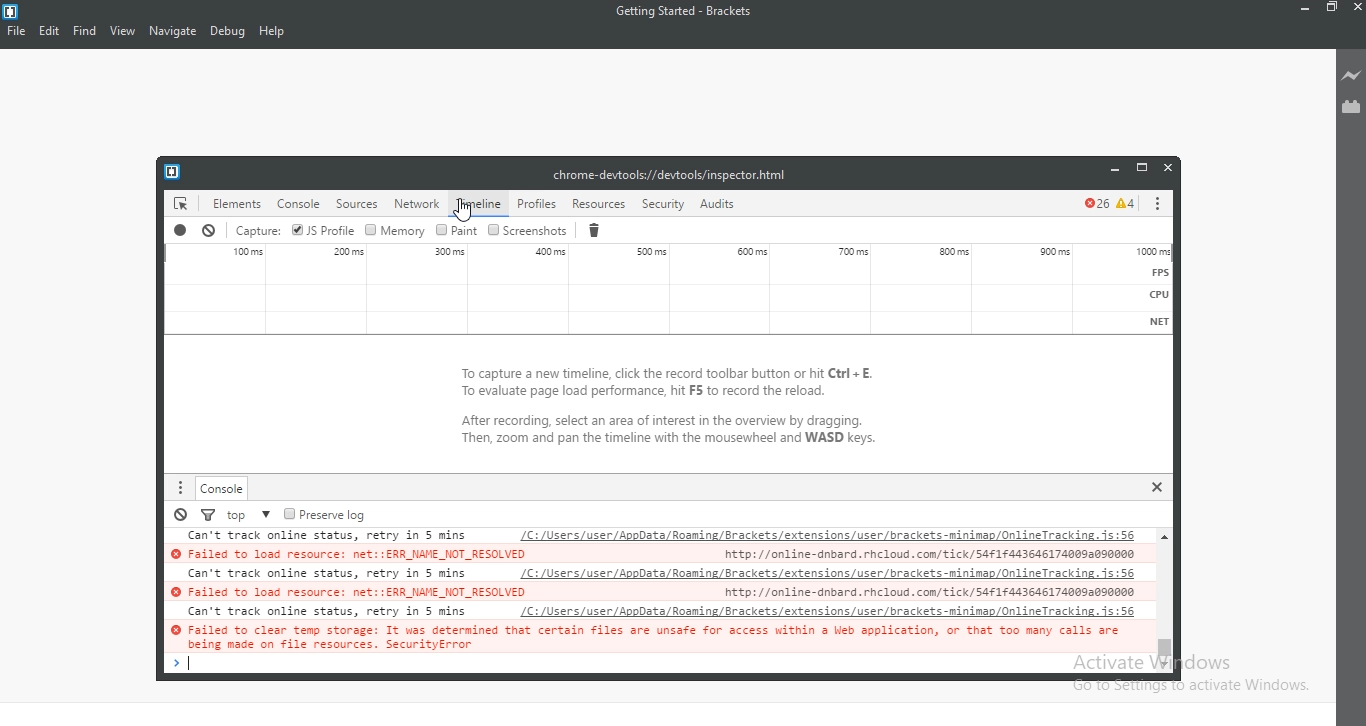 The width and height of the screenshot is (1366, 726). I want to click on Close, so click(1157, 486).